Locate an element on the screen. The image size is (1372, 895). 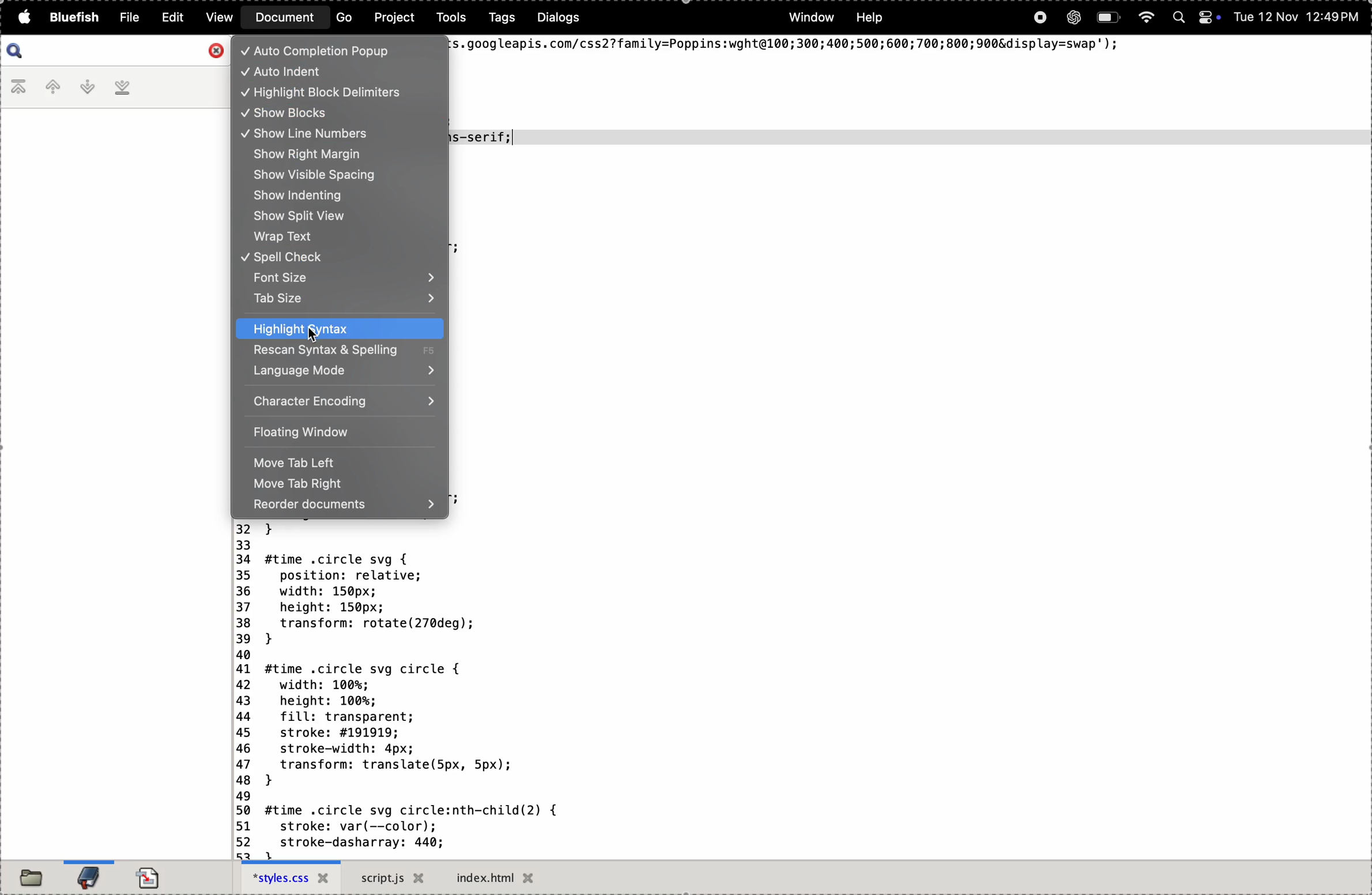
view is located at coordinates (221, 17).